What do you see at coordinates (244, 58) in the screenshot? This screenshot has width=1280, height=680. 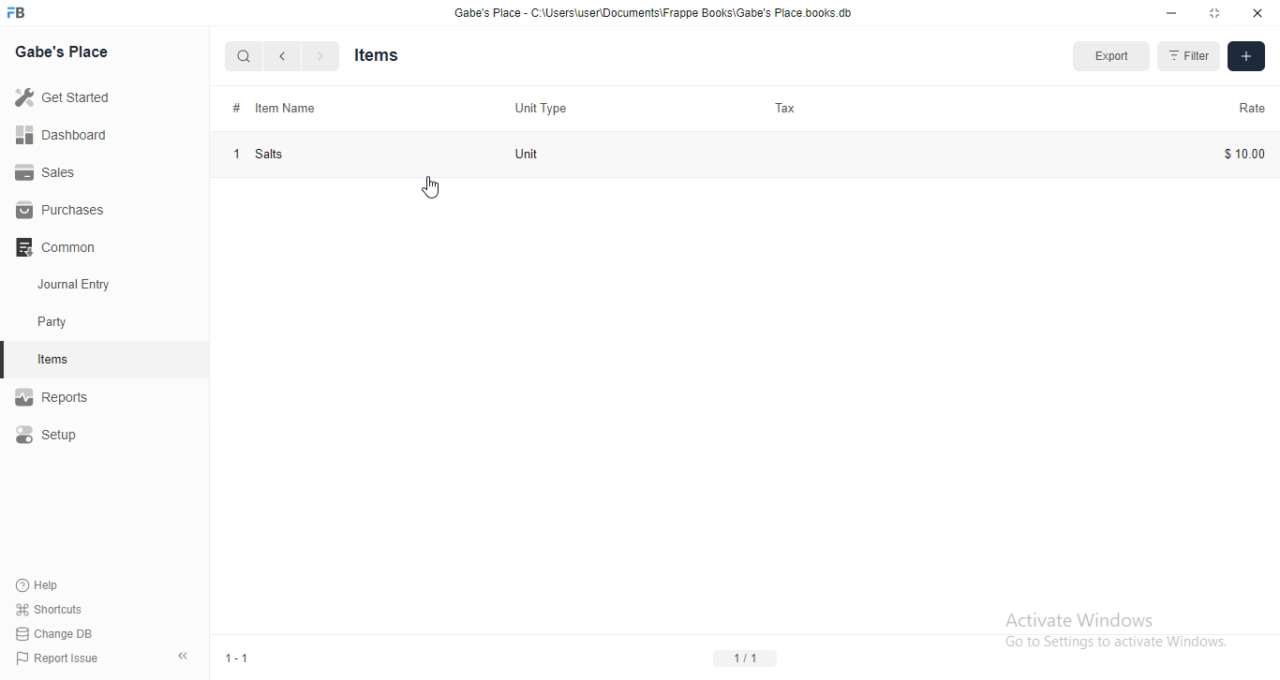 I see `search` at bounding box center [244, 58].